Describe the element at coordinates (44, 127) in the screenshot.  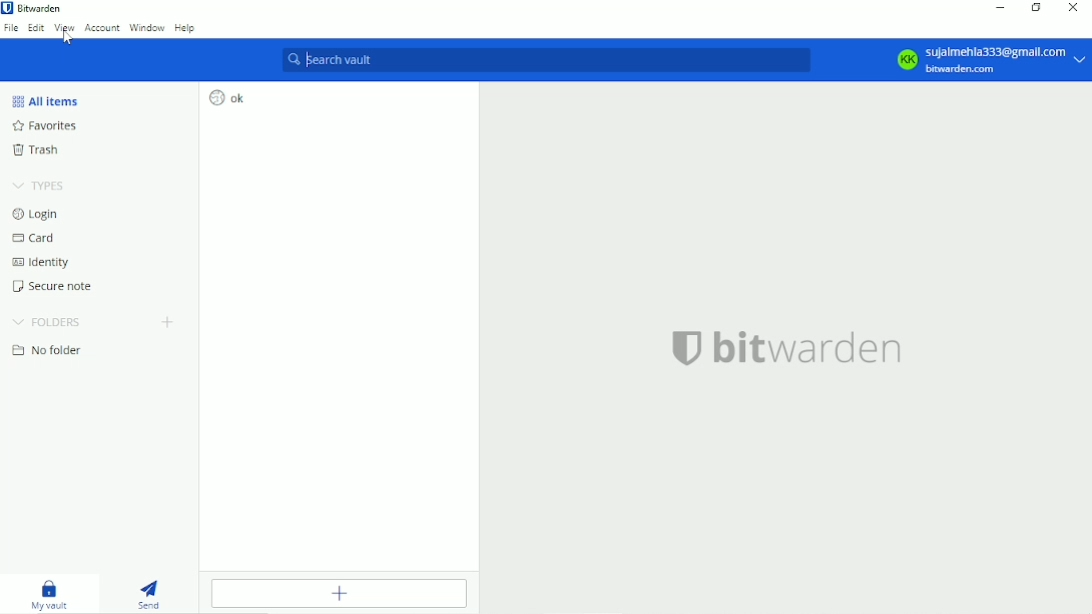
I see `Favorites` at that location.